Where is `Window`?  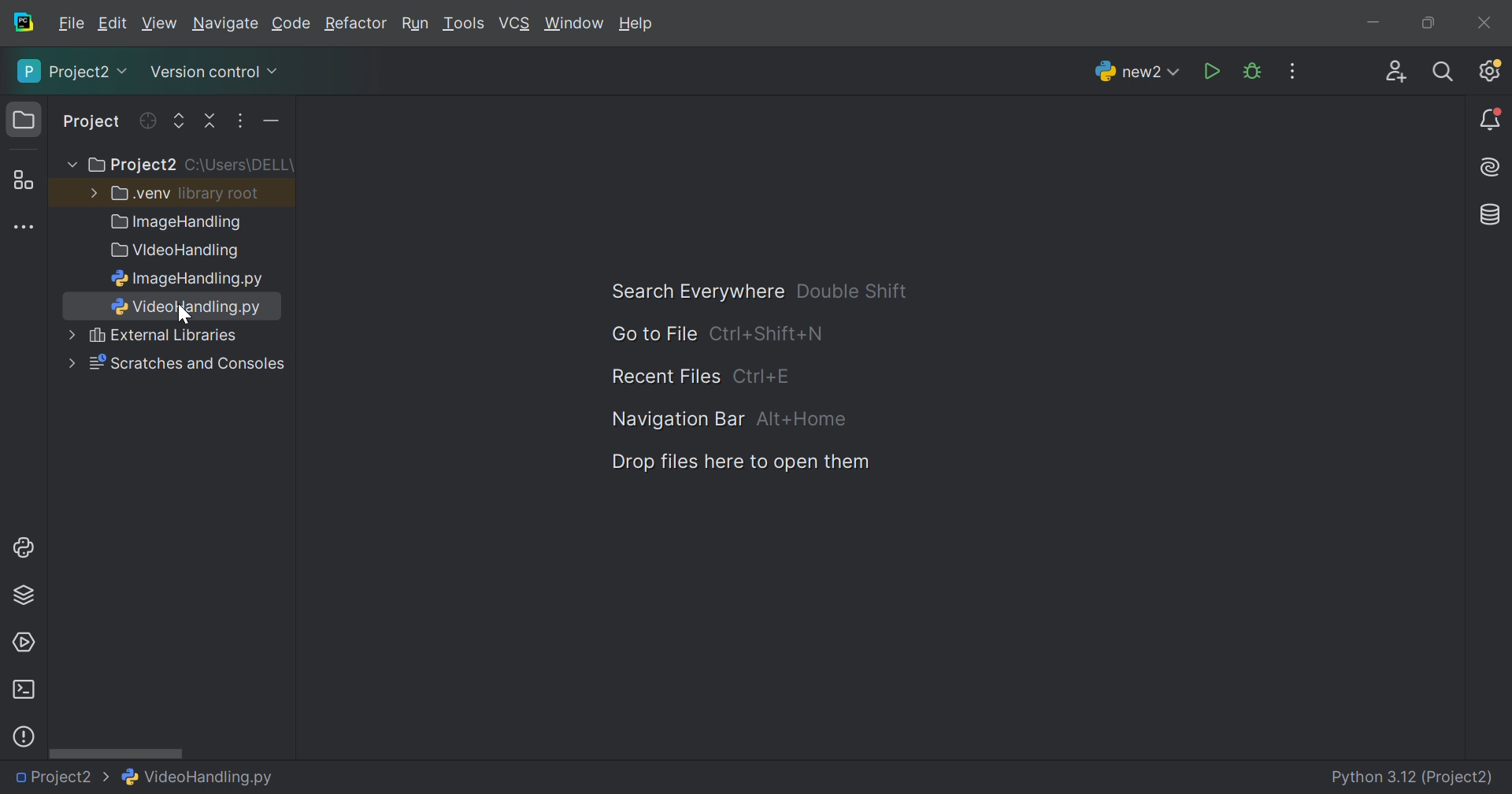 Window is located at coordinates (575, 25).